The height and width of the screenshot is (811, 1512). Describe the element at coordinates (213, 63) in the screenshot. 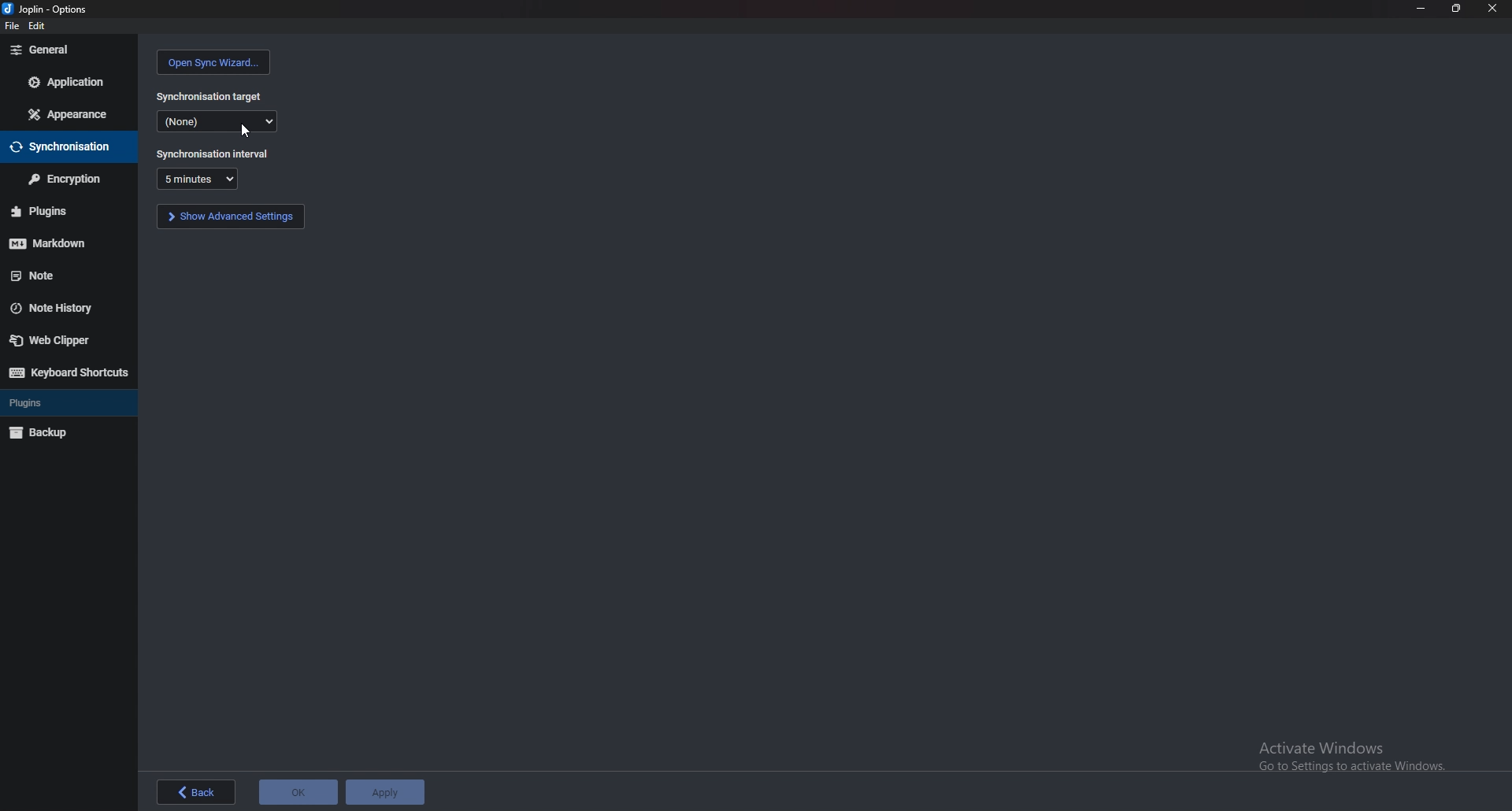

I see `open sync wizard` at that location.